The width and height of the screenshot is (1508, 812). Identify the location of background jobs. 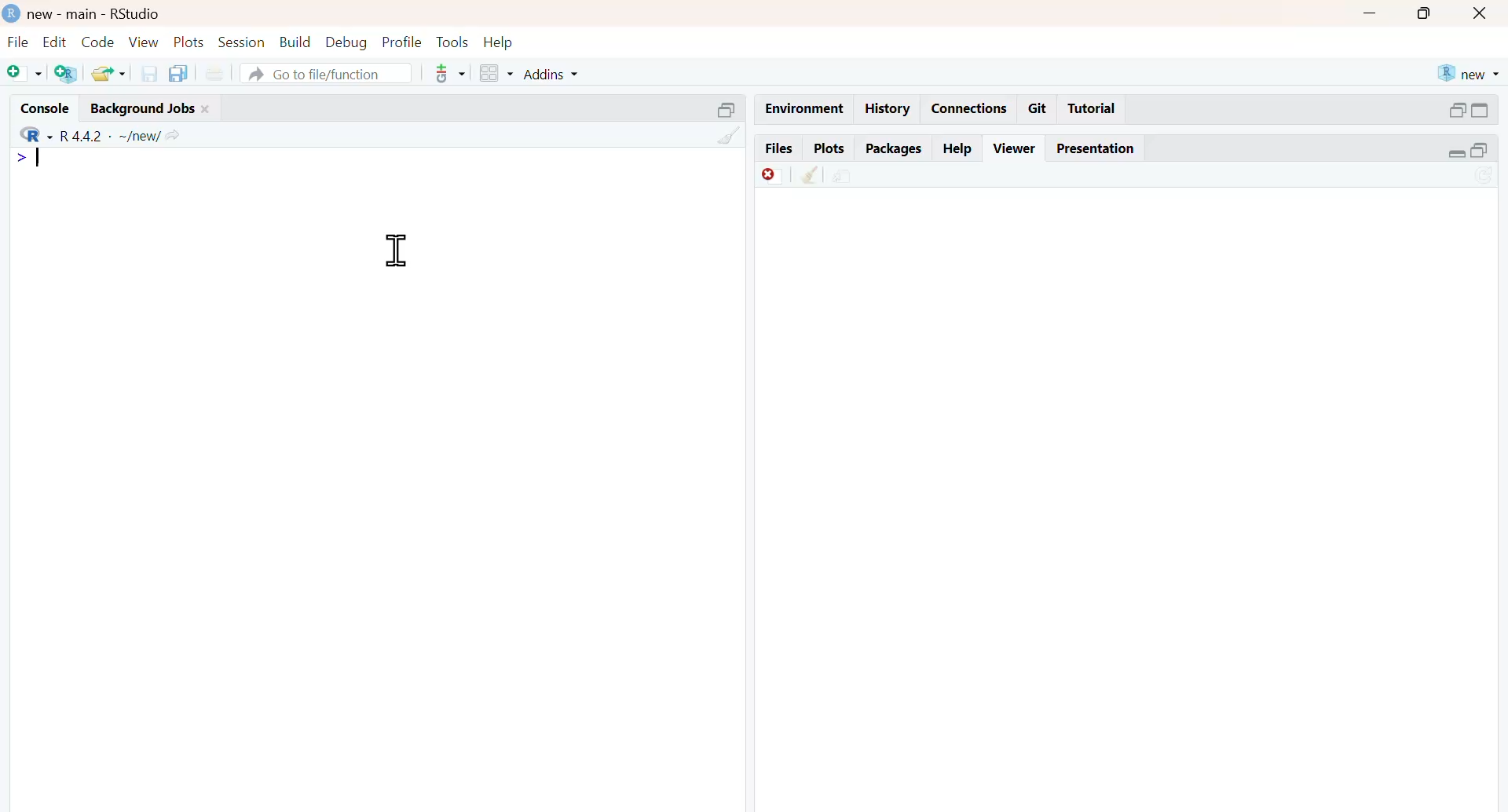
(143, 111).